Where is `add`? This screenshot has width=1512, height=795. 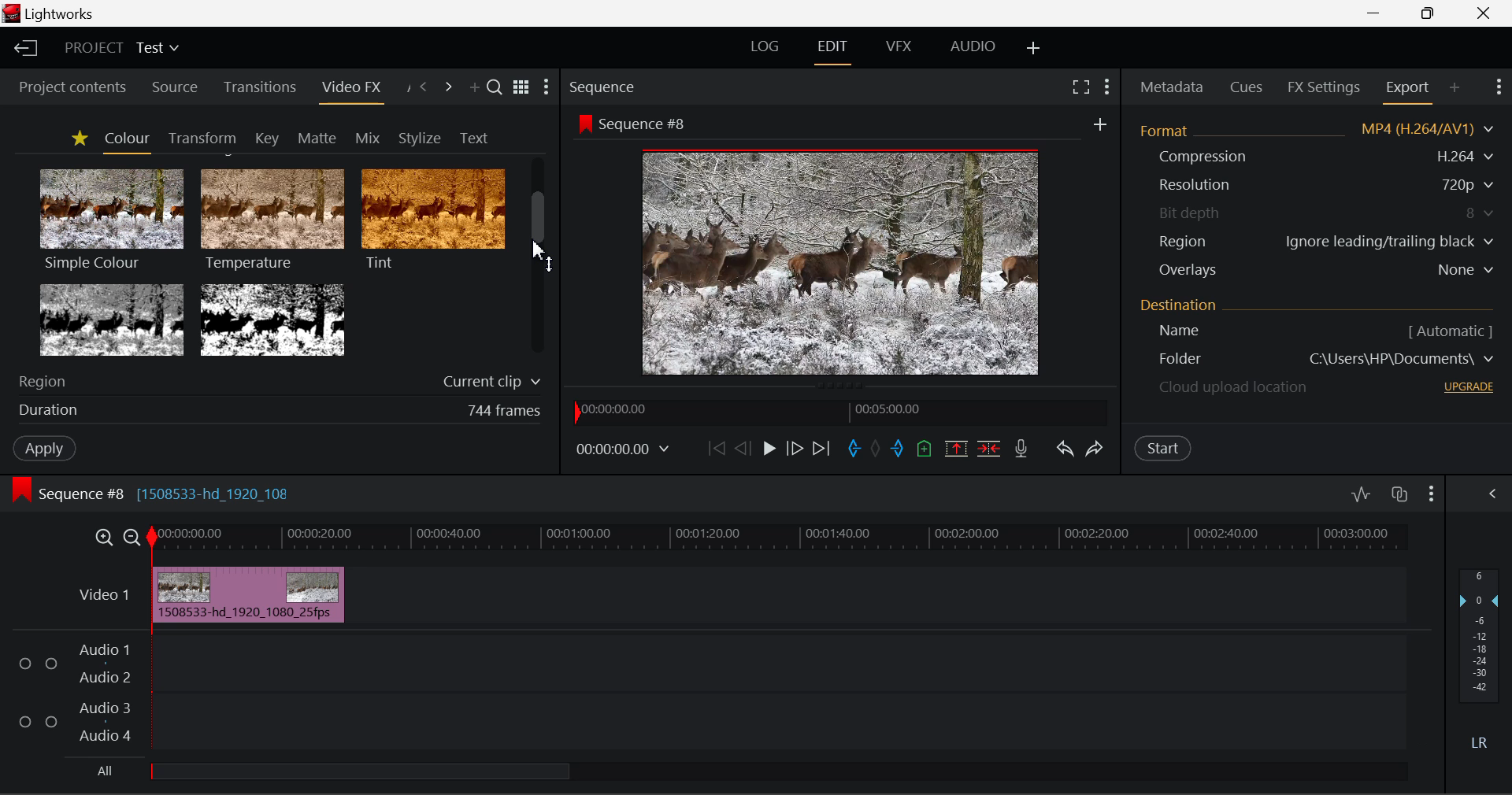
add is located at coordinates (1099, 124).